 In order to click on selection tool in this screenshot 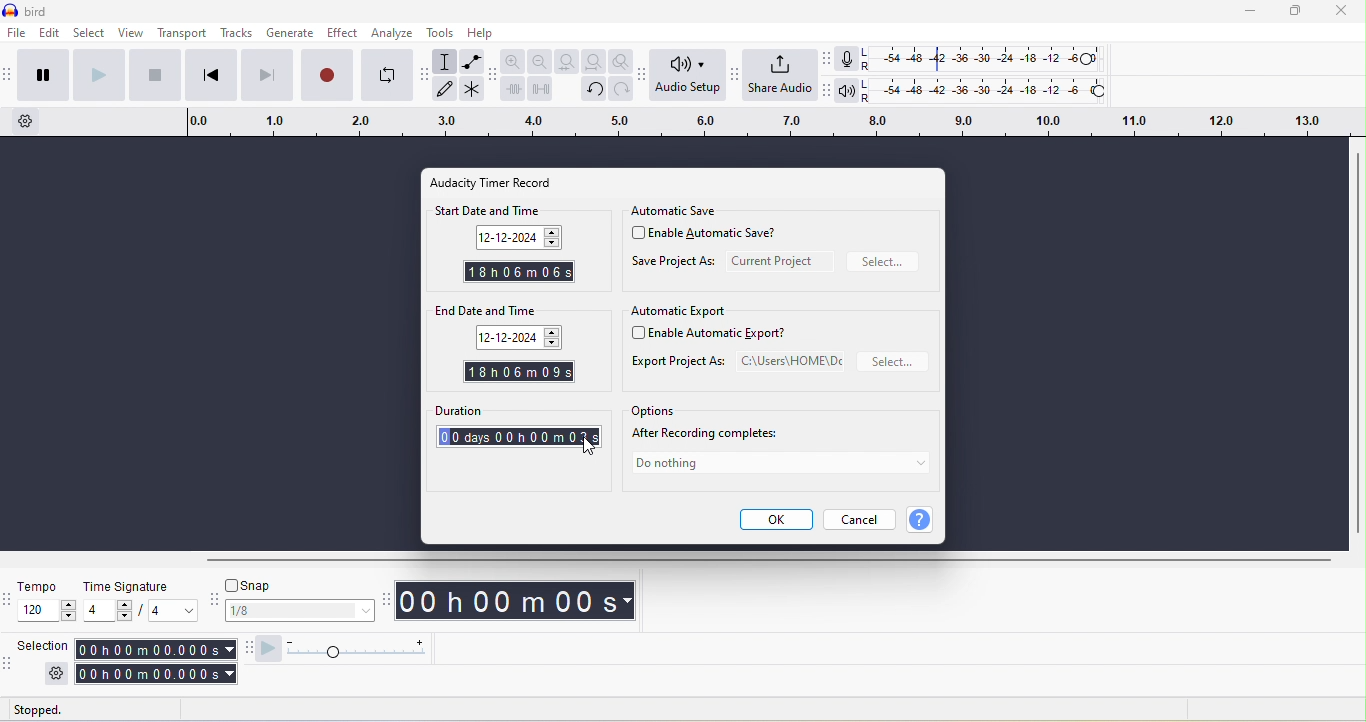, I will do `click(447, 63)`.